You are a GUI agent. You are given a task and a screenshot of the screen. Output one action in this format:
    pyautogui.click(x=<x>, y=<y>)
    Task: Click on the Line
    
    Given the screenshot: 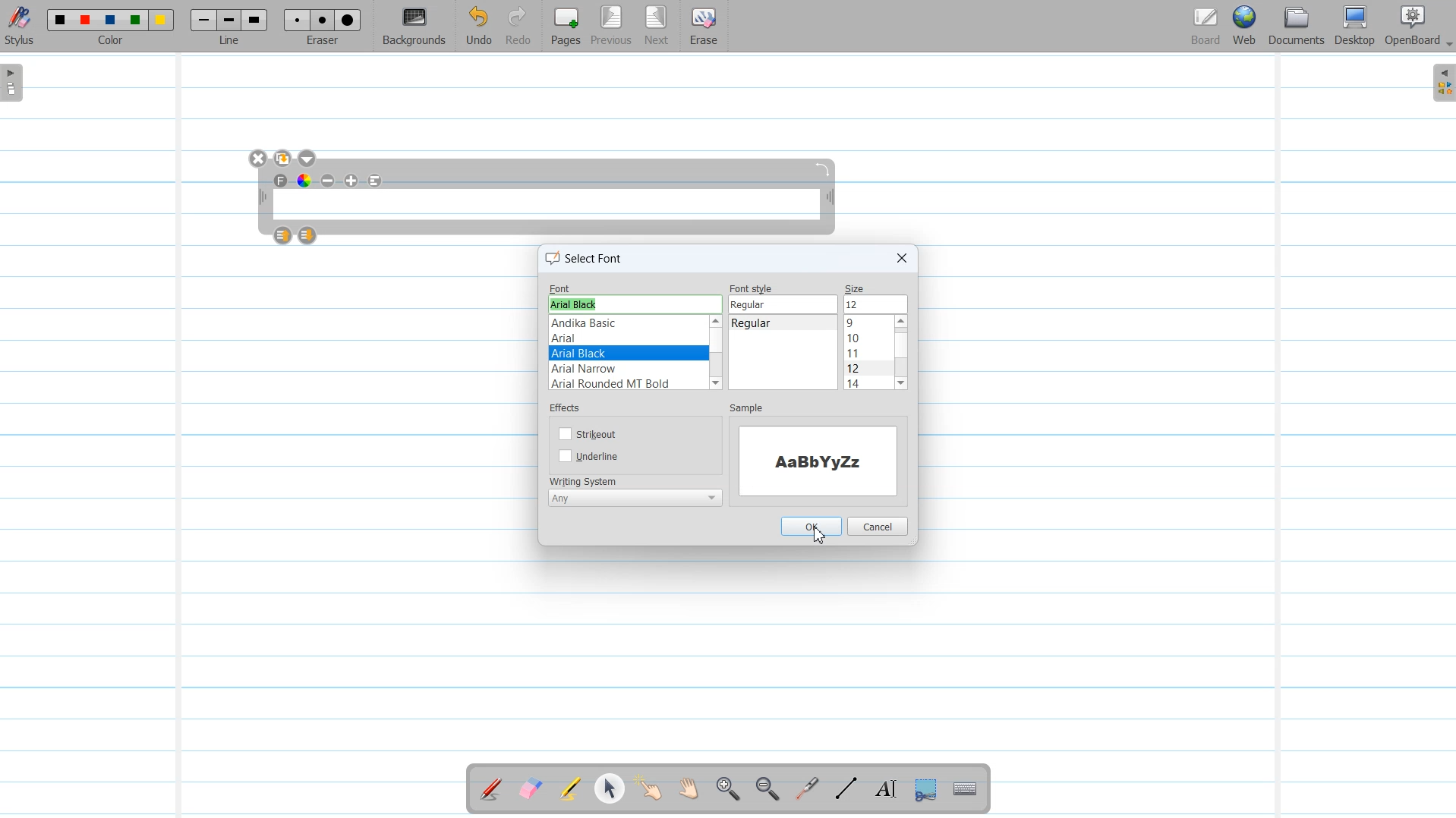 What is the action you would take?
    pyautogui.click(x=231, y=26)
    